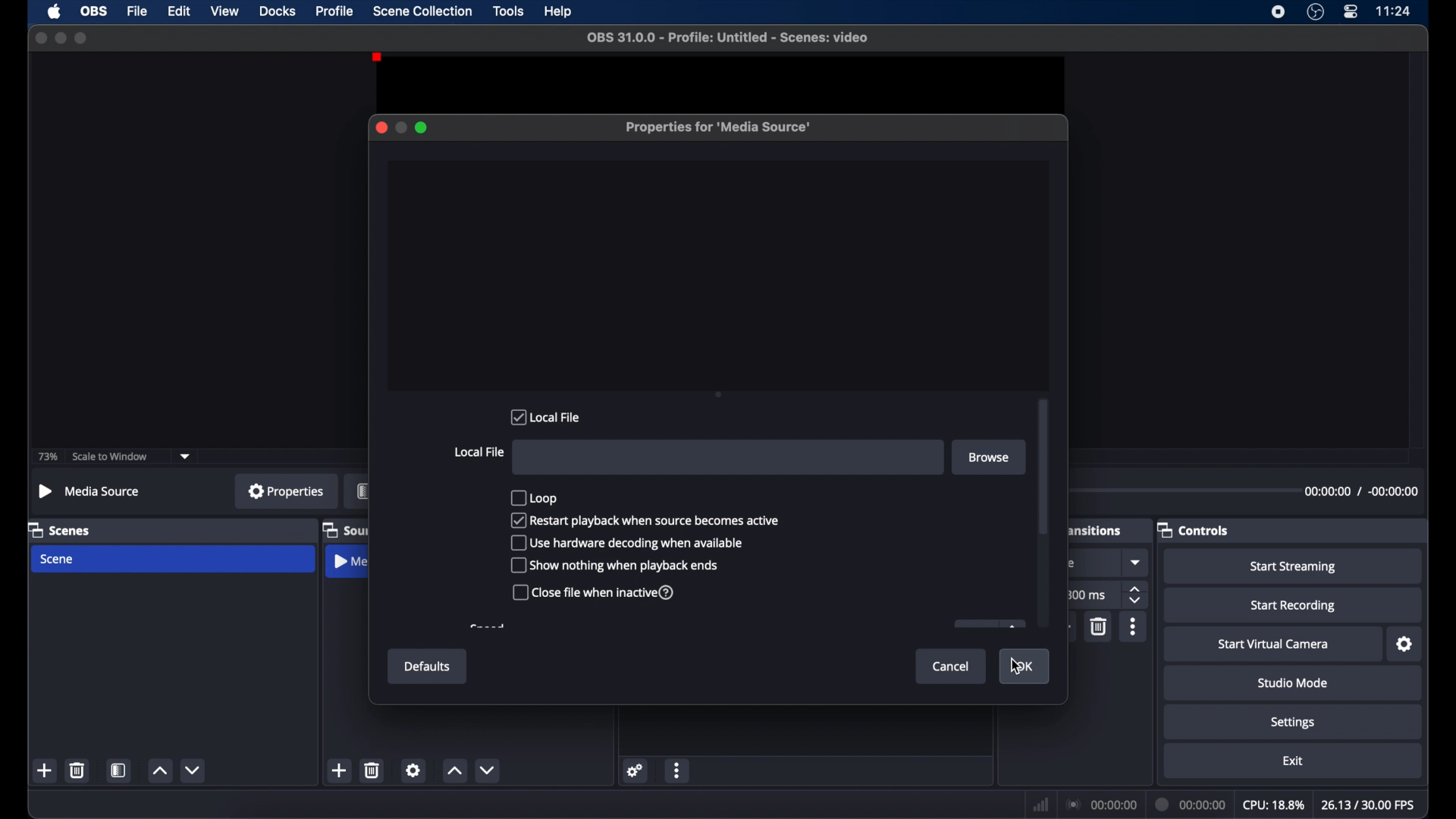 The width and height of the screenshot is (1456, 819). I want to click on scene, so click(59, 560).